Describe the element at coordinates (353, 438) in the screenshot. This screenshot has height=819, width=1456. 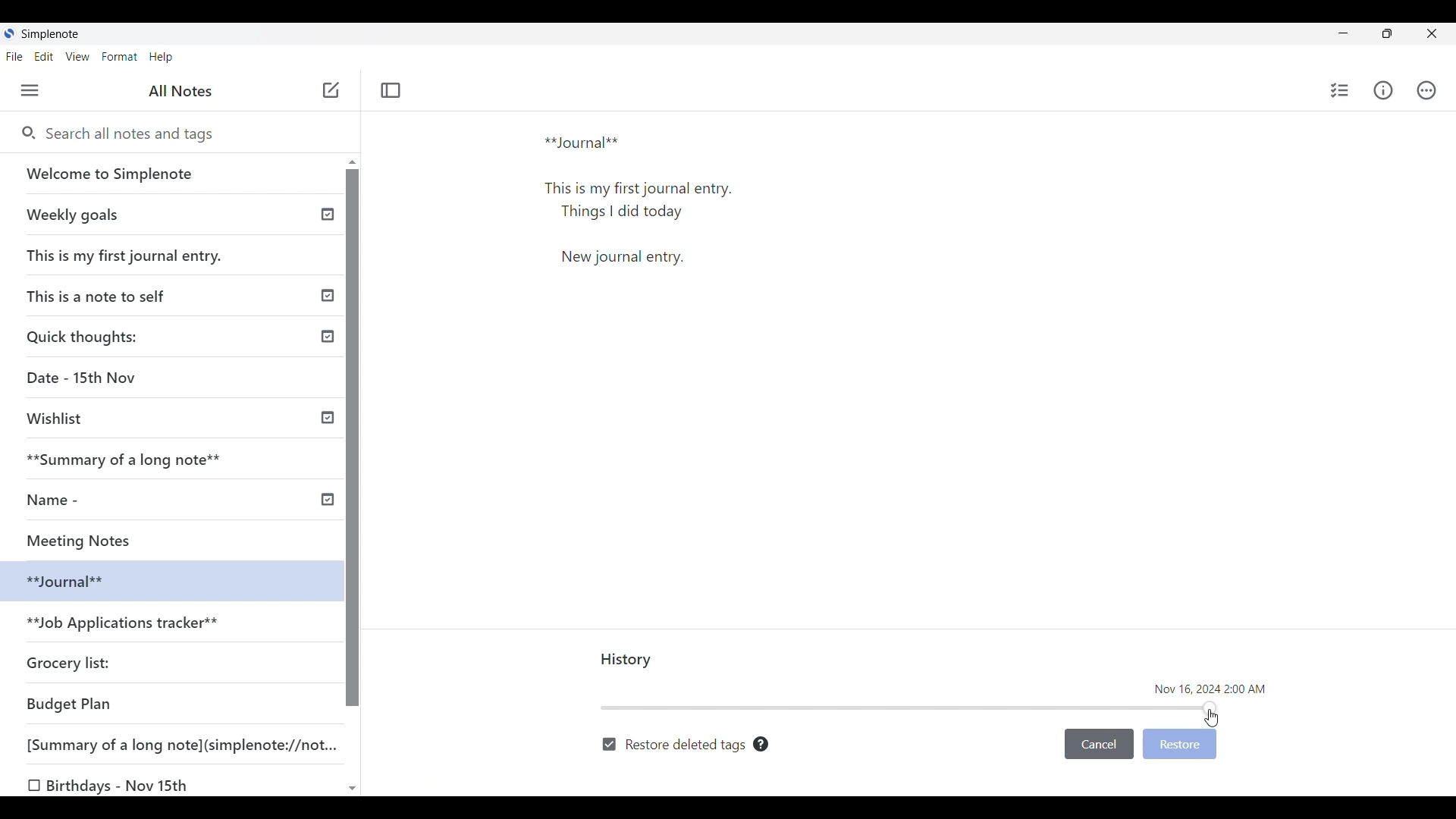
I see `Vertical slide bar for left panel` at that location.